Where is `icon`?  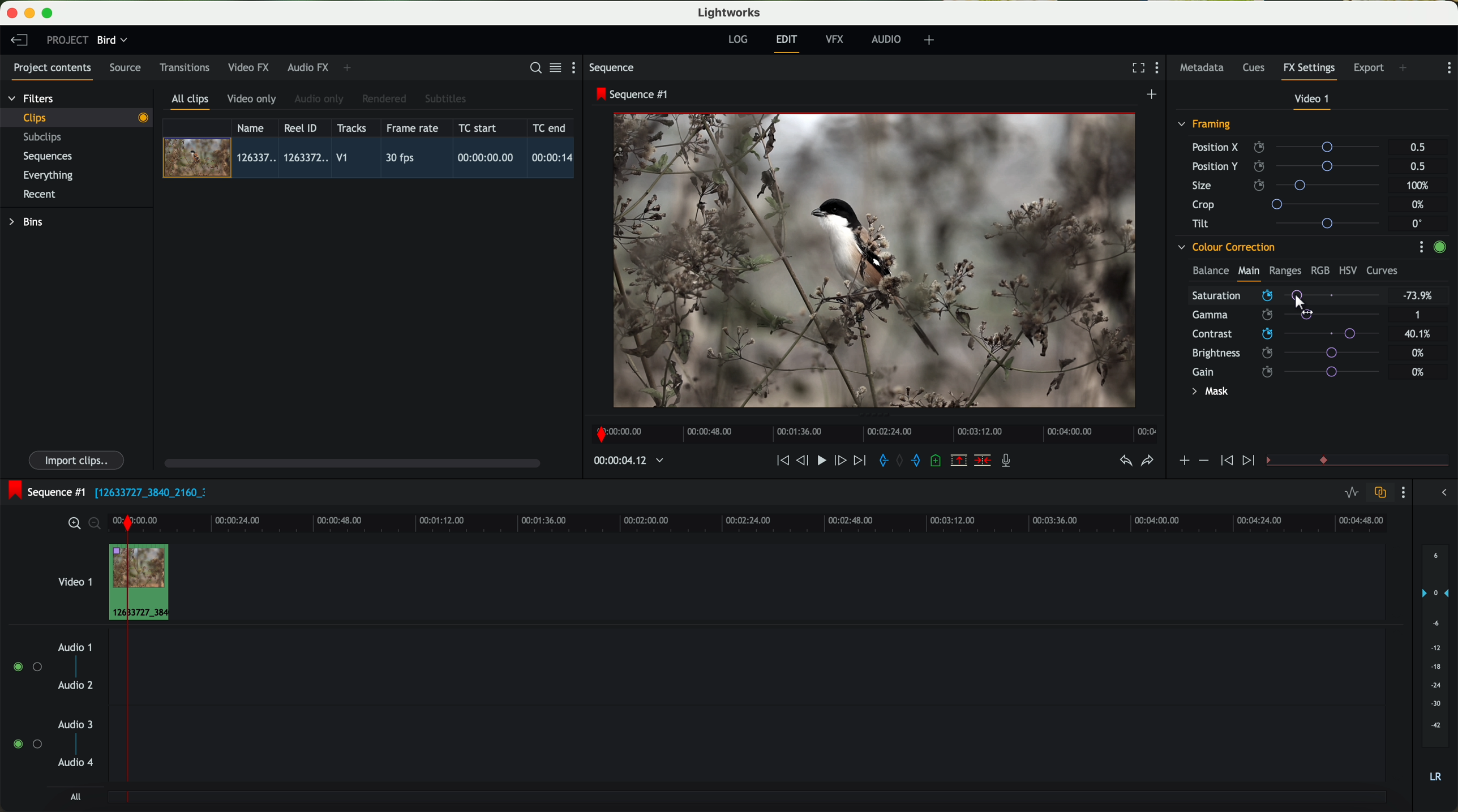
icon is located at coordinates (1203, 461).